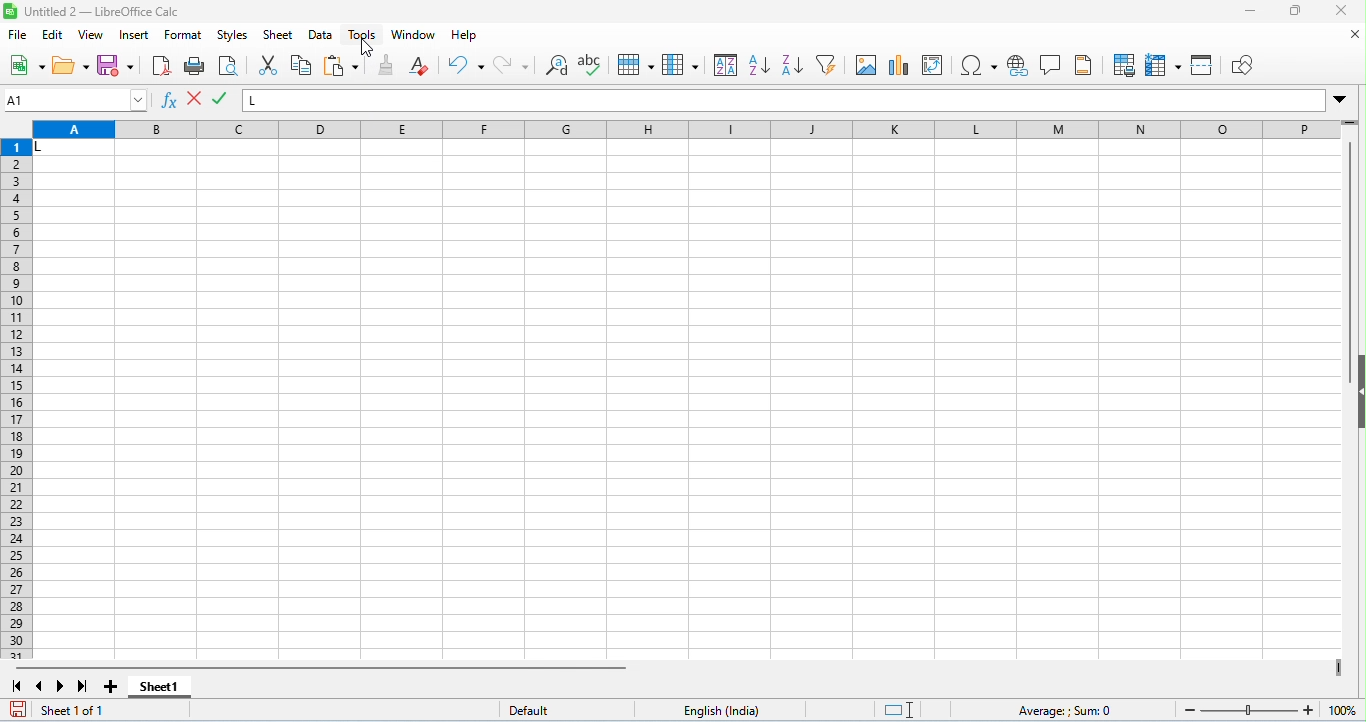 The width and height of the screenshot is (1366, 722). Describe the element at coordinates (323, 36) in the screenshot. I see `data` at that location.